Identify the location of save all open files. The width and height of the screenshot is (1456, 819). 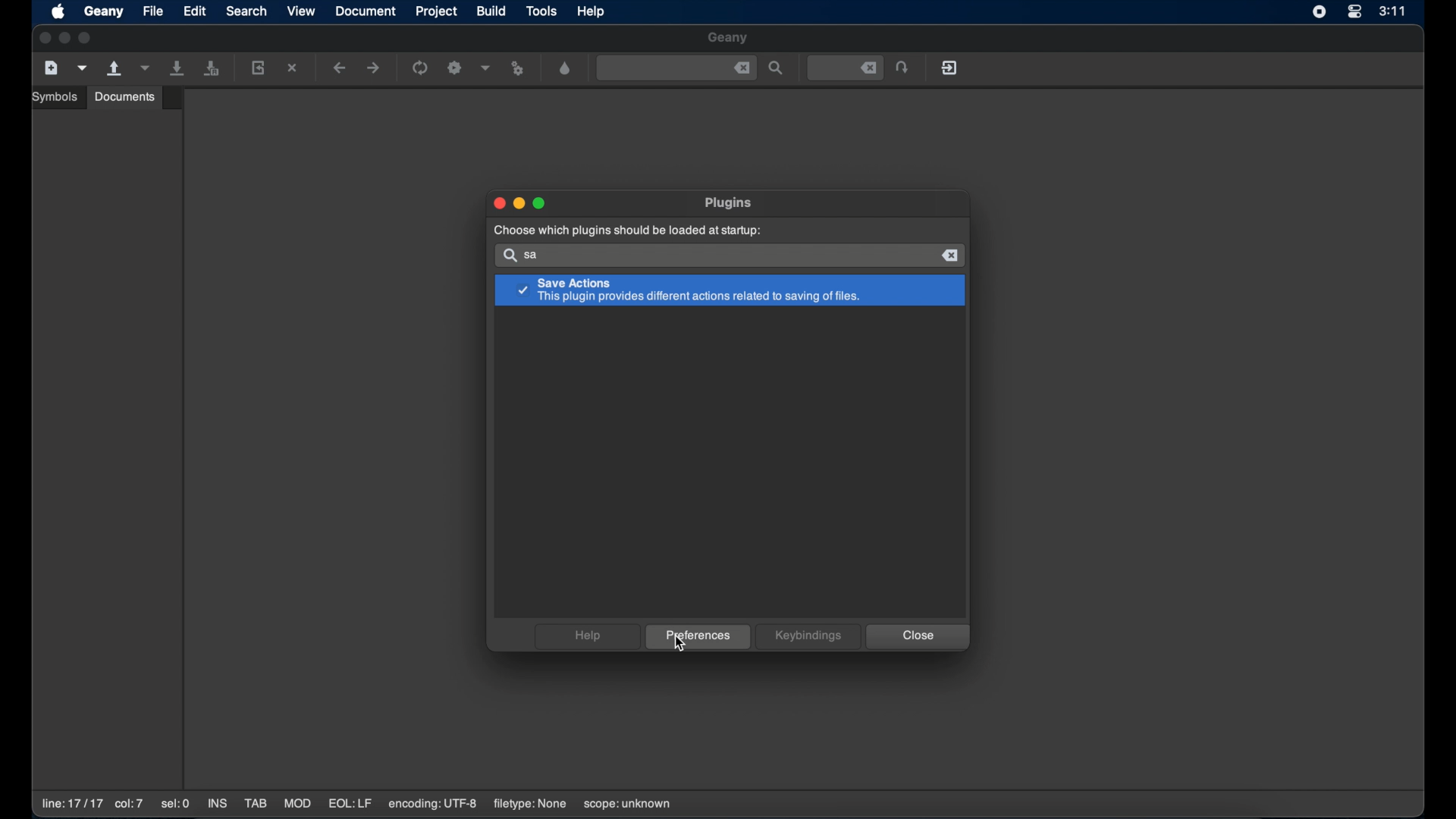
(212, 69).